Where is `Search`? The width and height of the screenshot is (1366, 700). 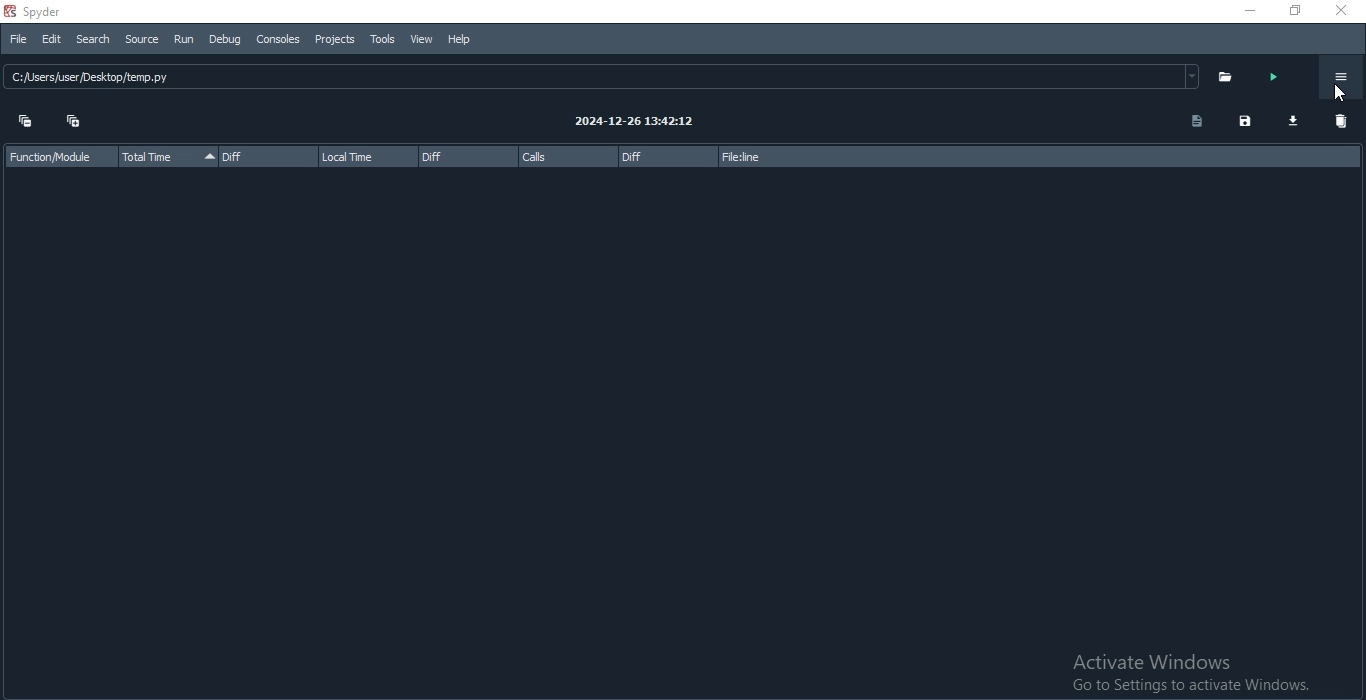
Search is located at coordinates (93, 39).